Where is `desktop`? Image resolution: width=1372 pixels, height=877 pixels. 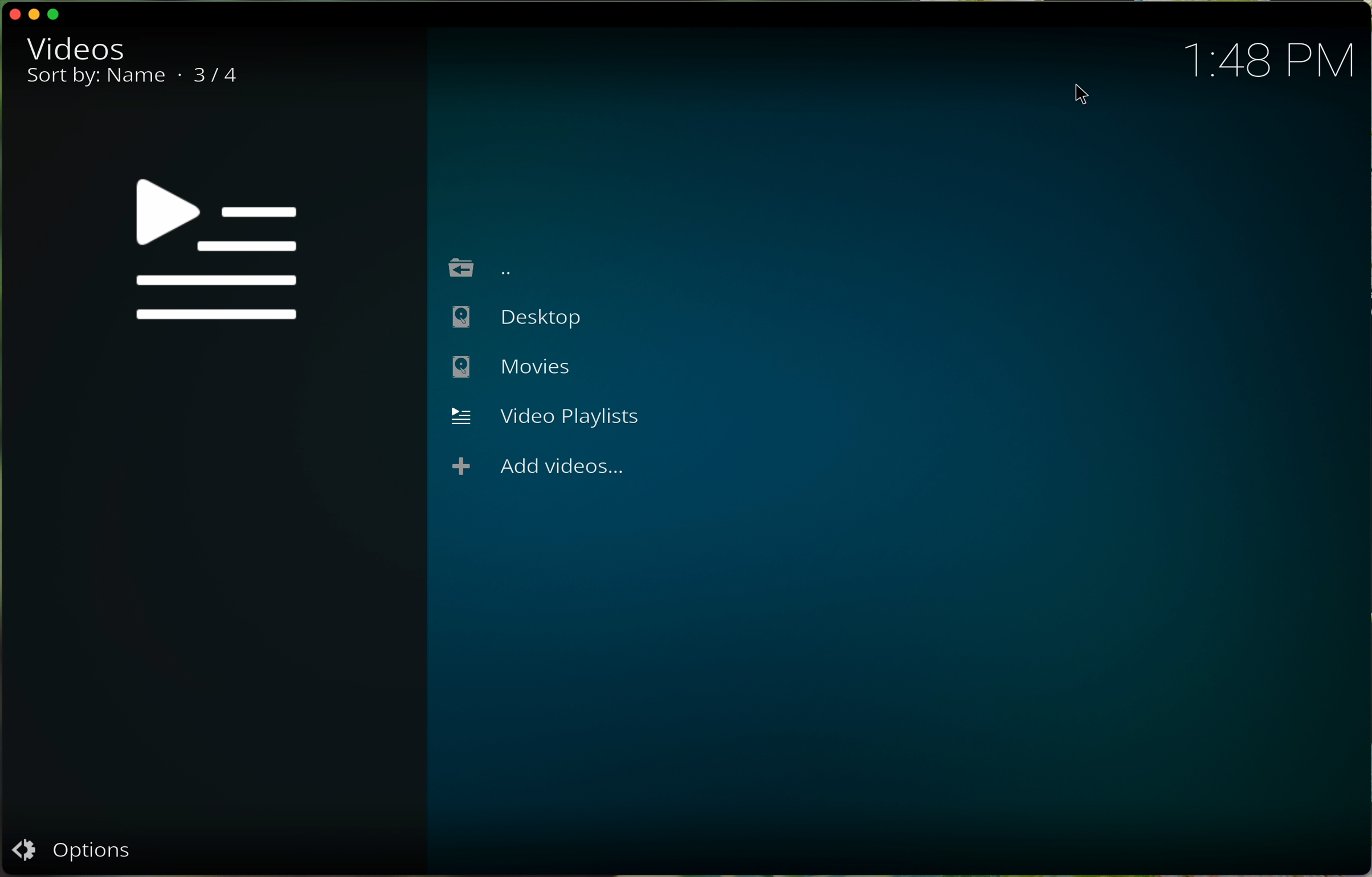 desktop is located at coordinates (521, 318).